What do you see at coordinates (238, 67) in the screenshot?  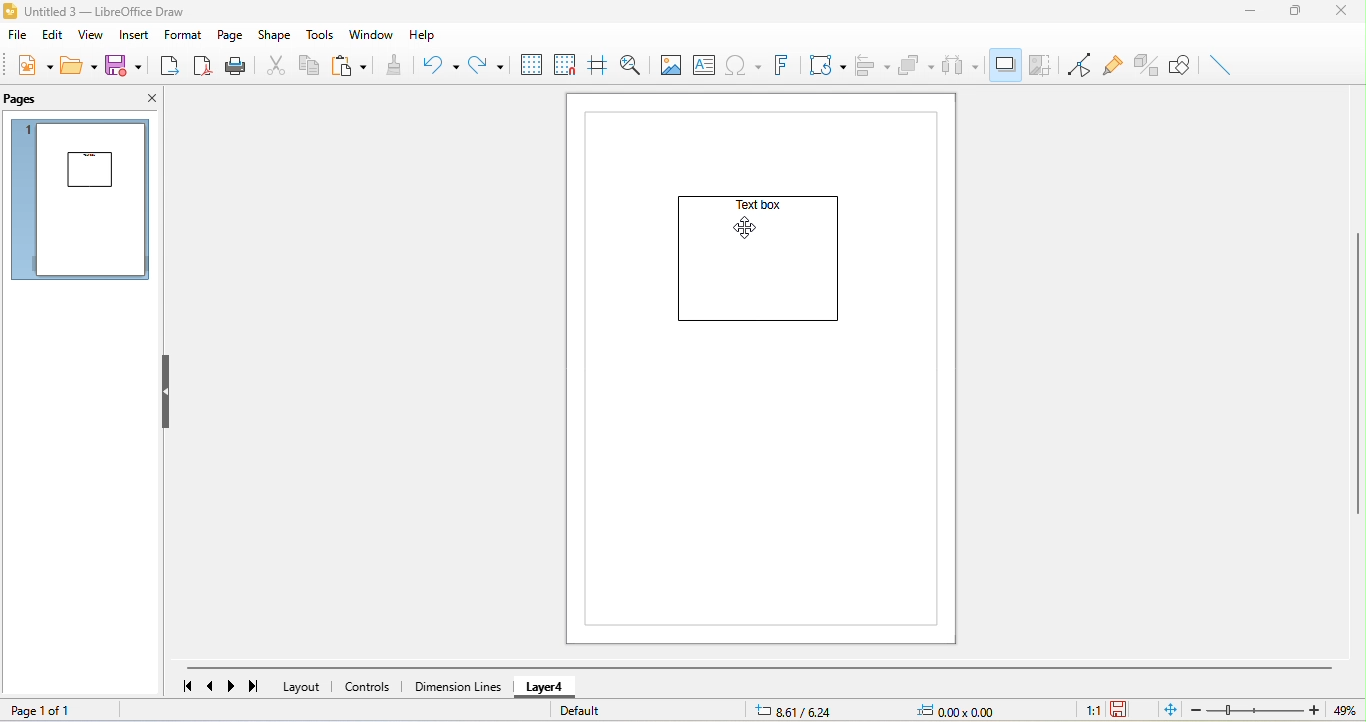 I see `print` at bounding box center [238, 67].